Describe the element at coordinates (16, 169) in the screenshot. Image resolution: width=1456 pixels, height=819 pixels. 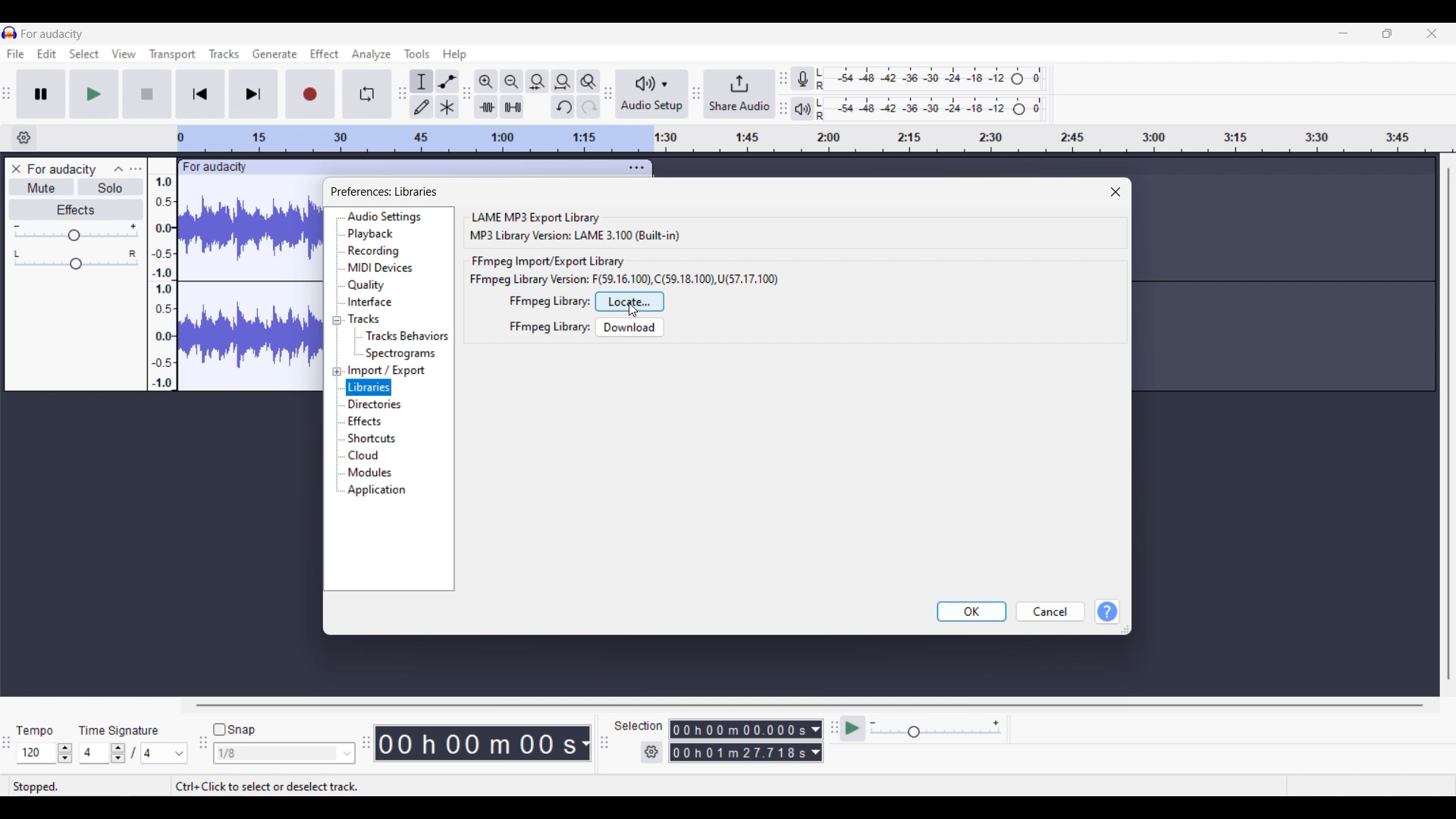
I see `Close track` at that location.